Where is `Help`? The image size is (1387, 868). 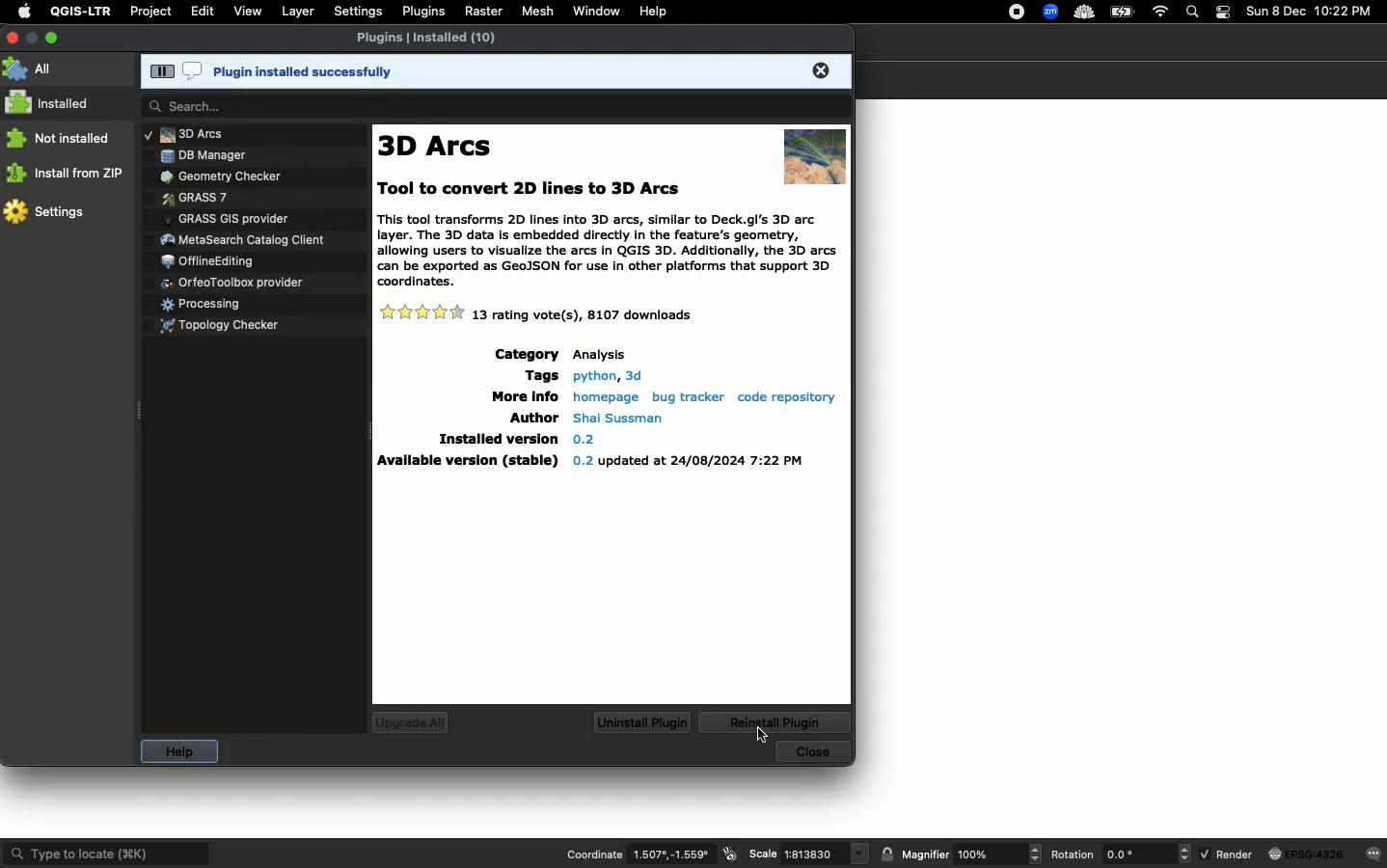
Help is located at coordinates (652, 12).